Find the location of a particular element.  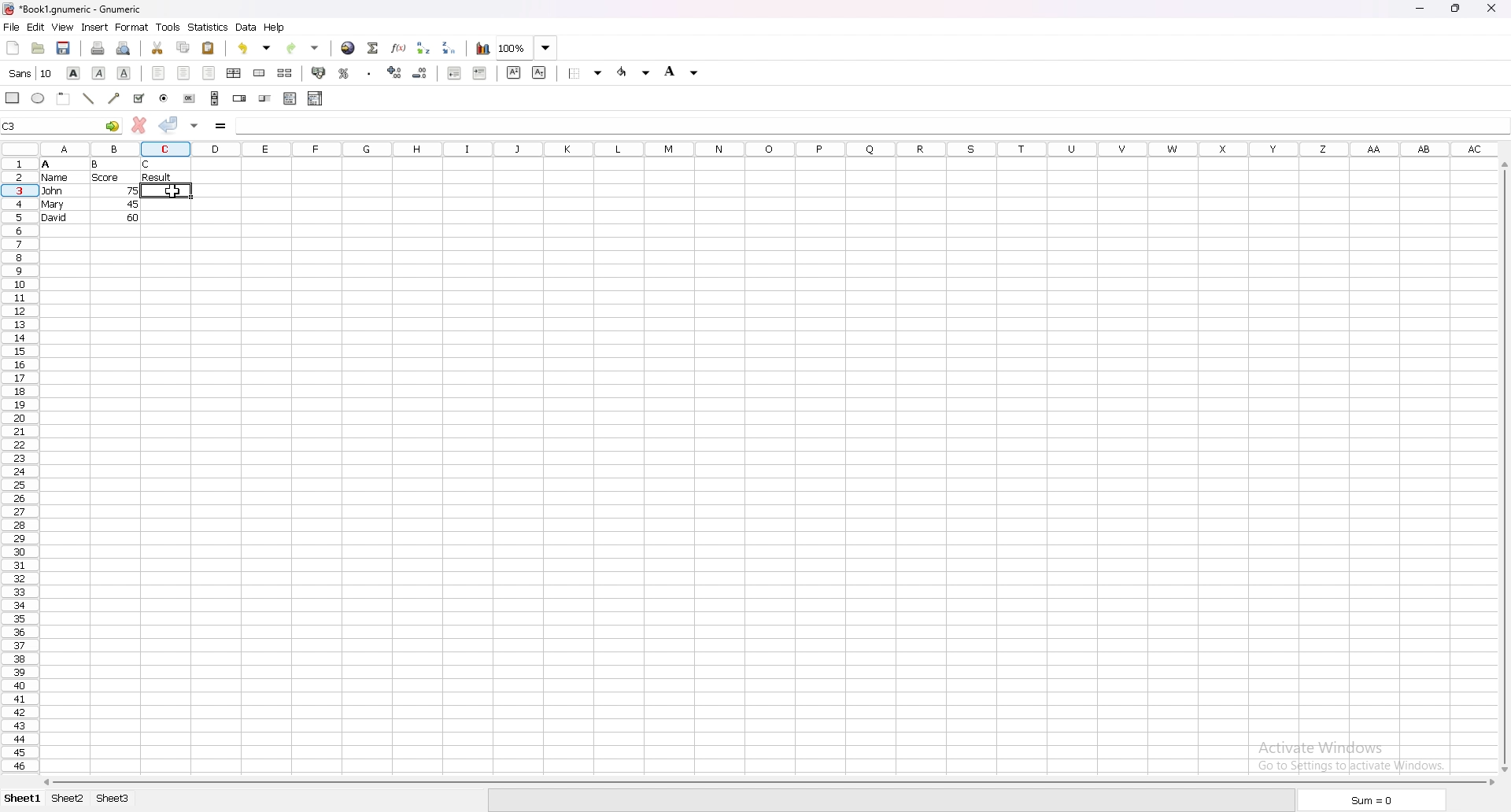

sort descending is located at coordinates (449, 47).